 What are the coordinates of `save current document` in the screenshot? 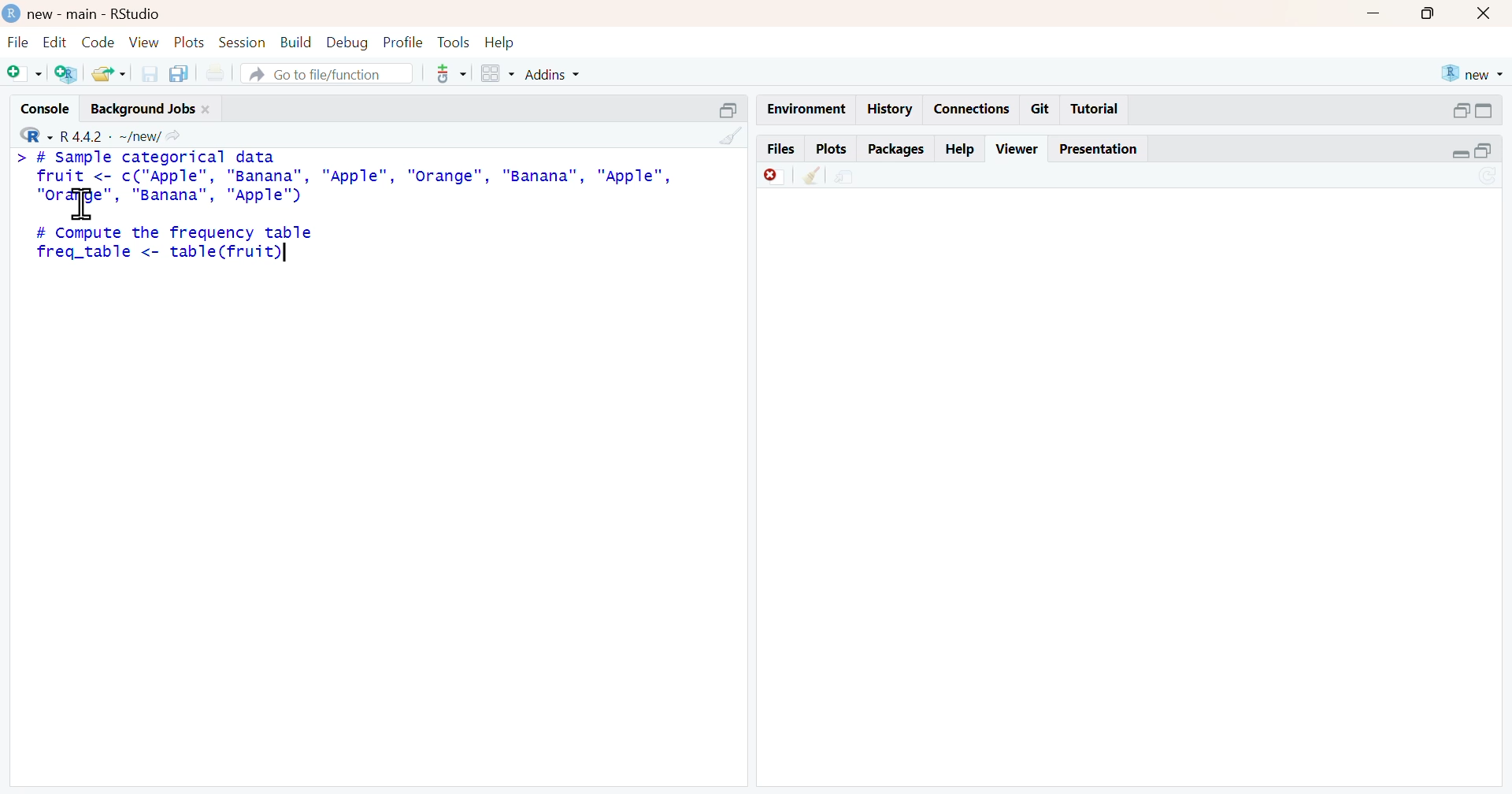 It's located at (152, 75).